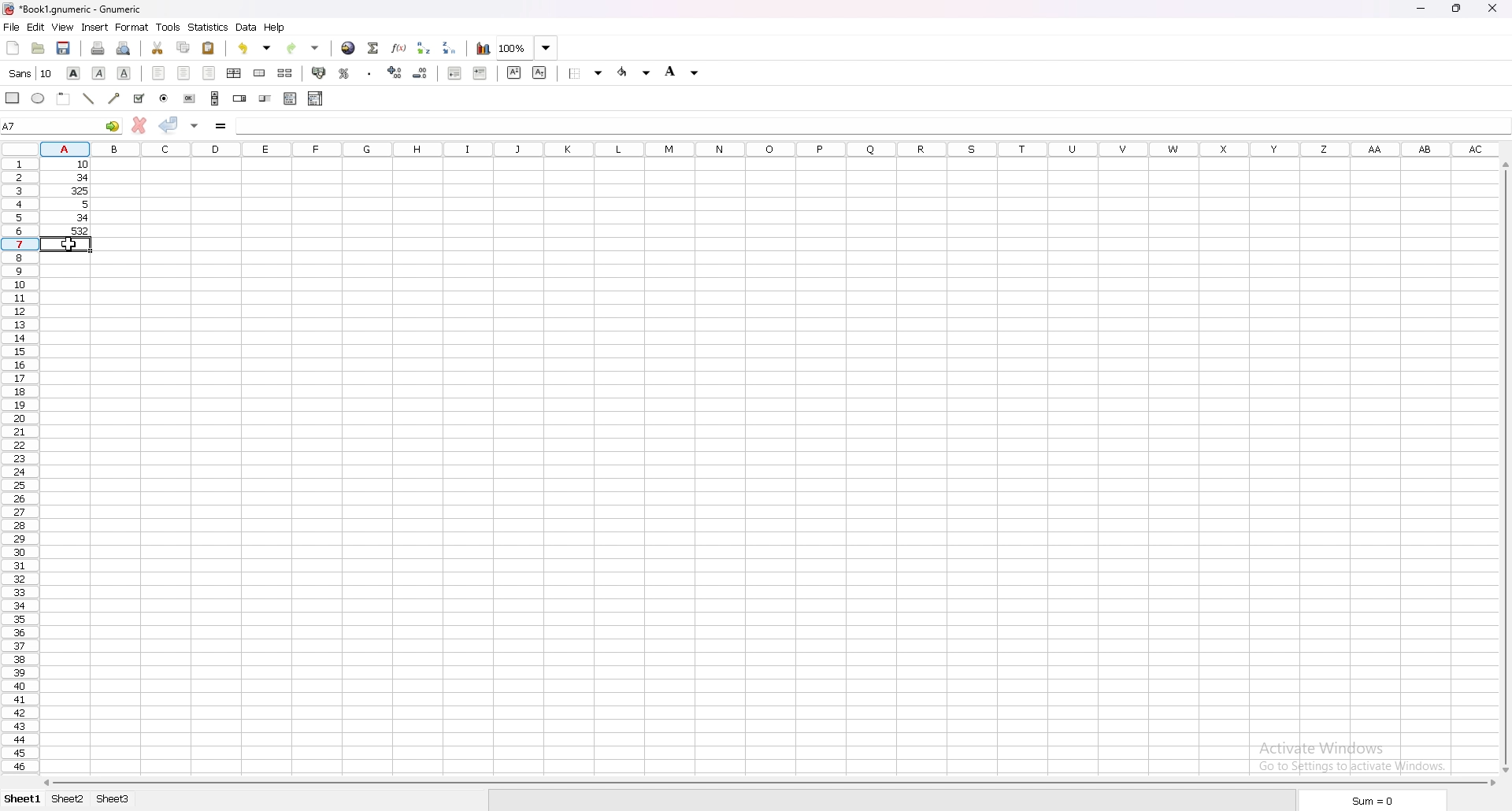 The height and width of the screenshot is (811, 1512). I want to click on center, so click(184, 72).